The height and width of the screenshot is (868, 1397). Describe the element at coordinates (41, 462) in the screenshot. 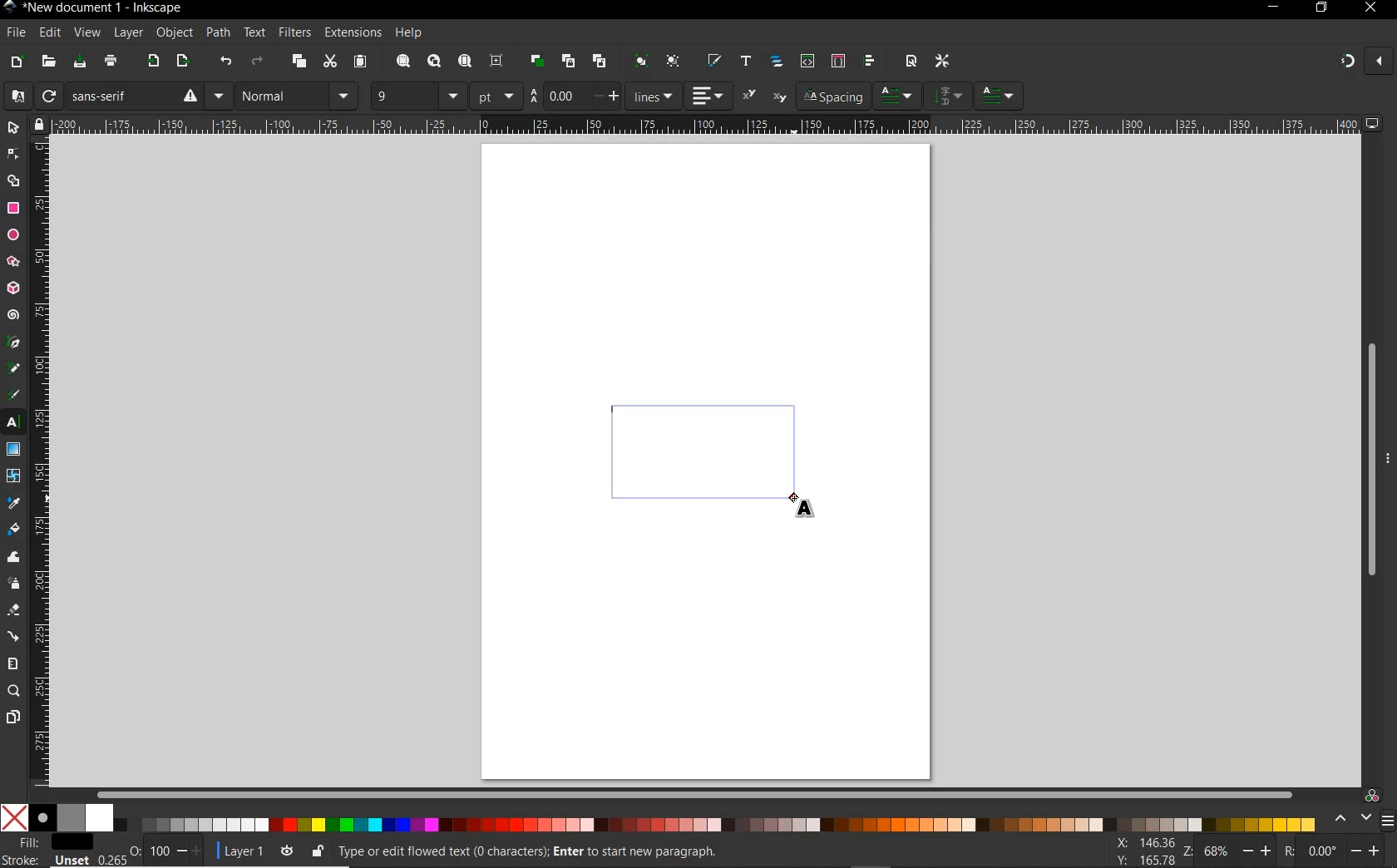

I see `ruler` at that location.